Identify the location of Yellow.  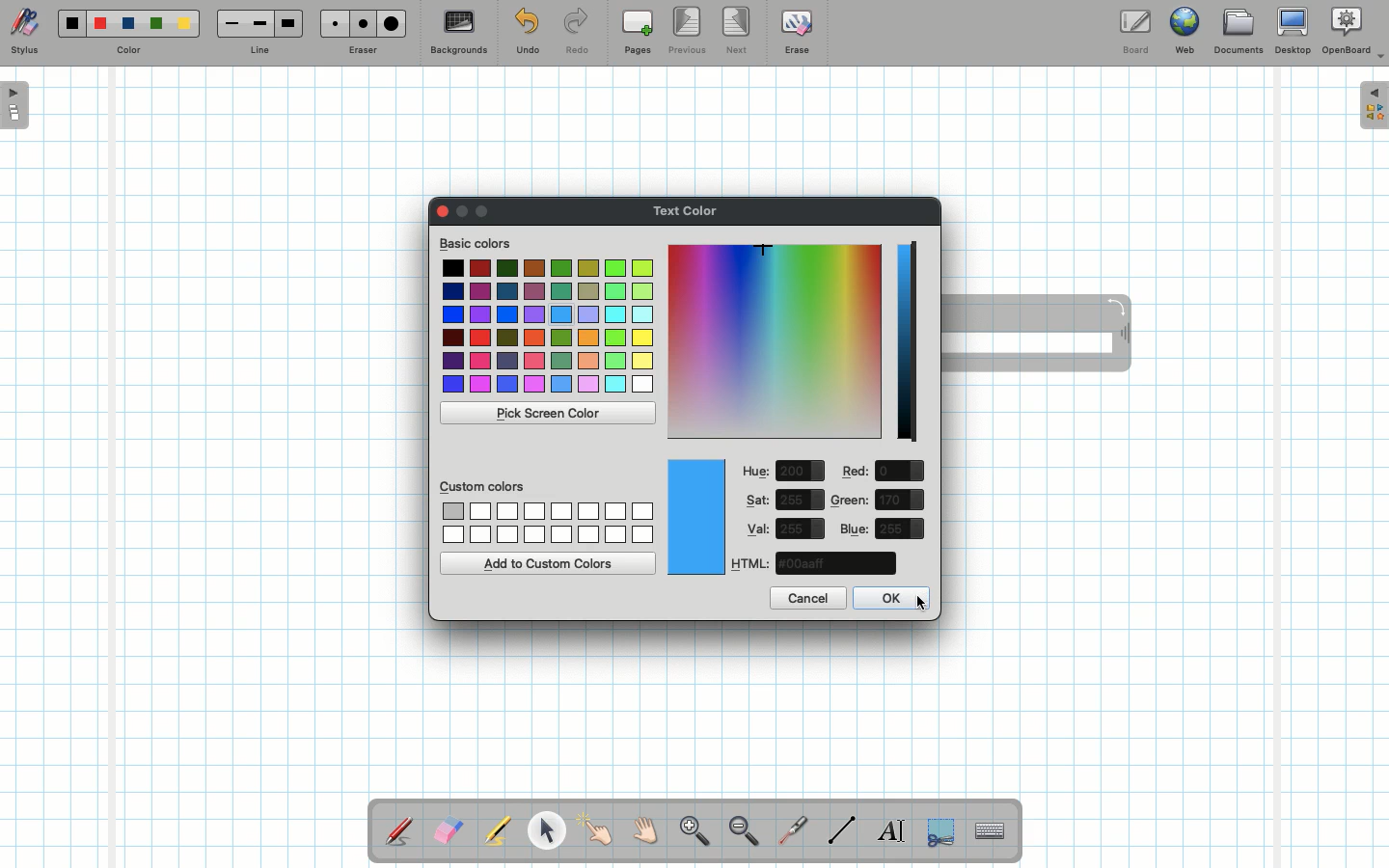
(184, 23).